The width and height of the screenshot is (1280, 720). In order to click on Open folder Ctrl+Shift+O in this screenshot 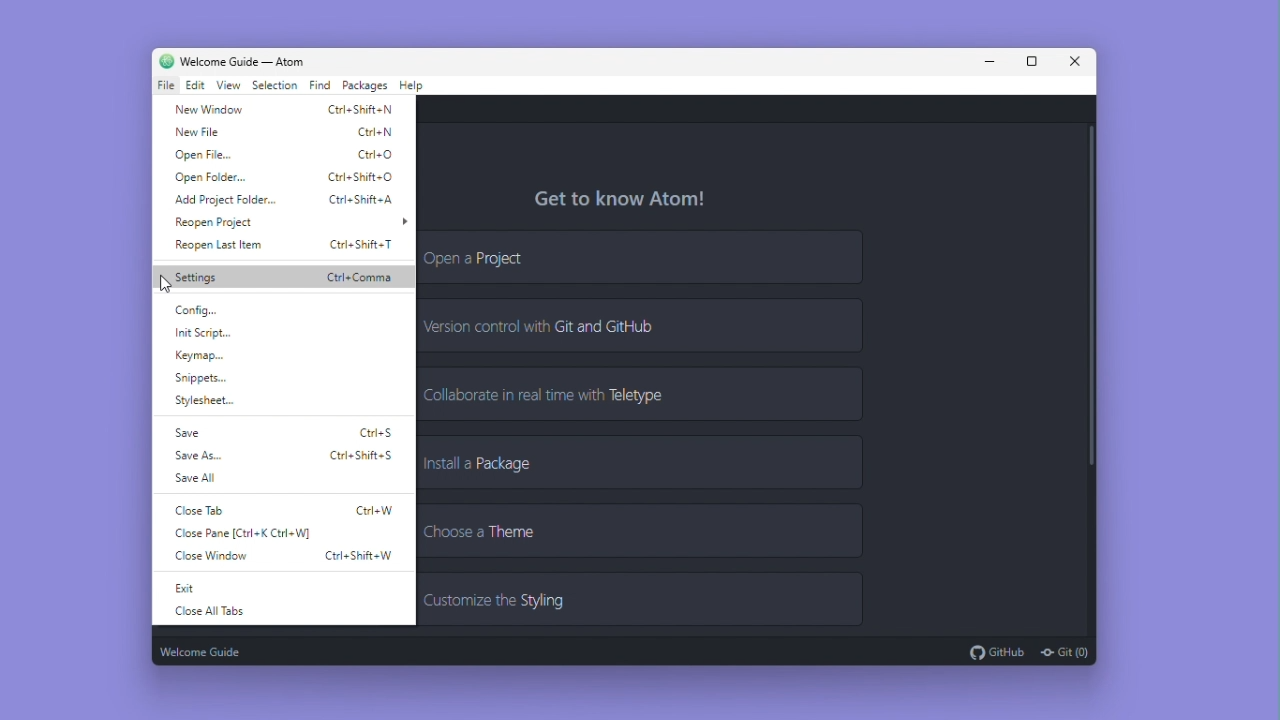, I will do `click(282, 177)`.